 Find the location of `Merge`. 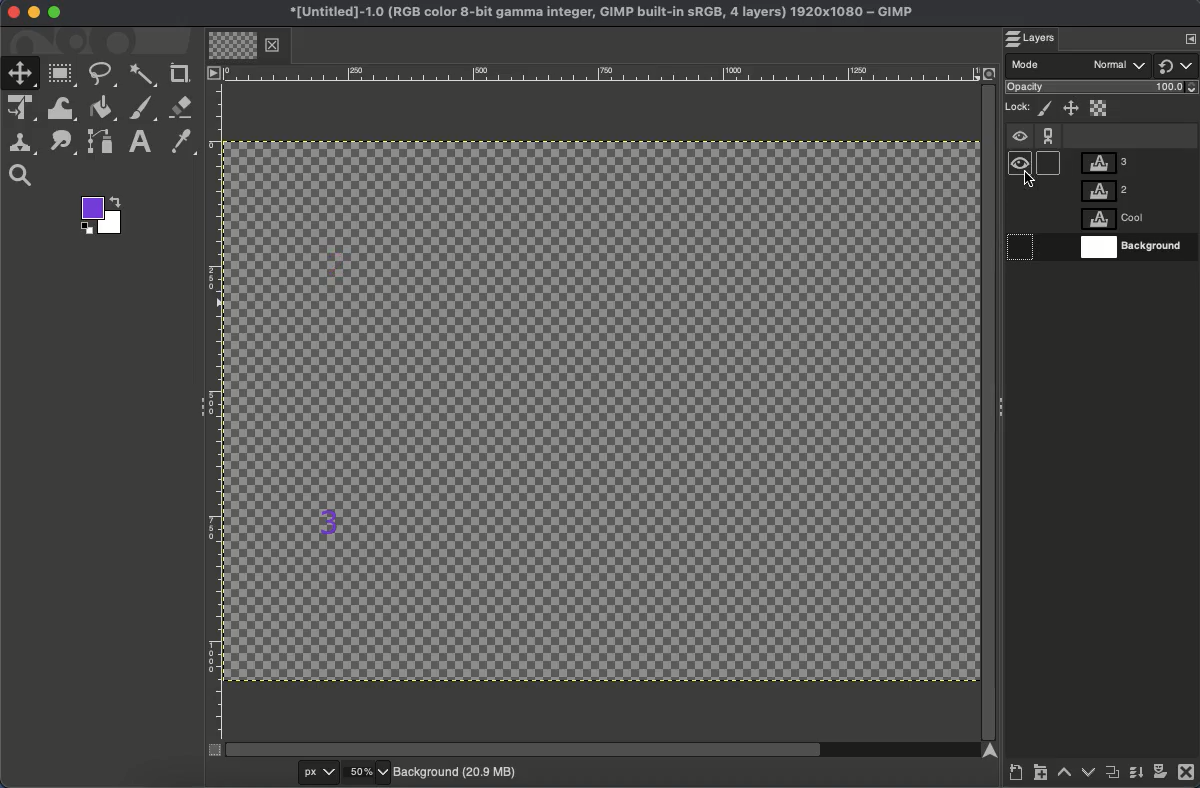

Merge is located at coordinates (1135, 777).